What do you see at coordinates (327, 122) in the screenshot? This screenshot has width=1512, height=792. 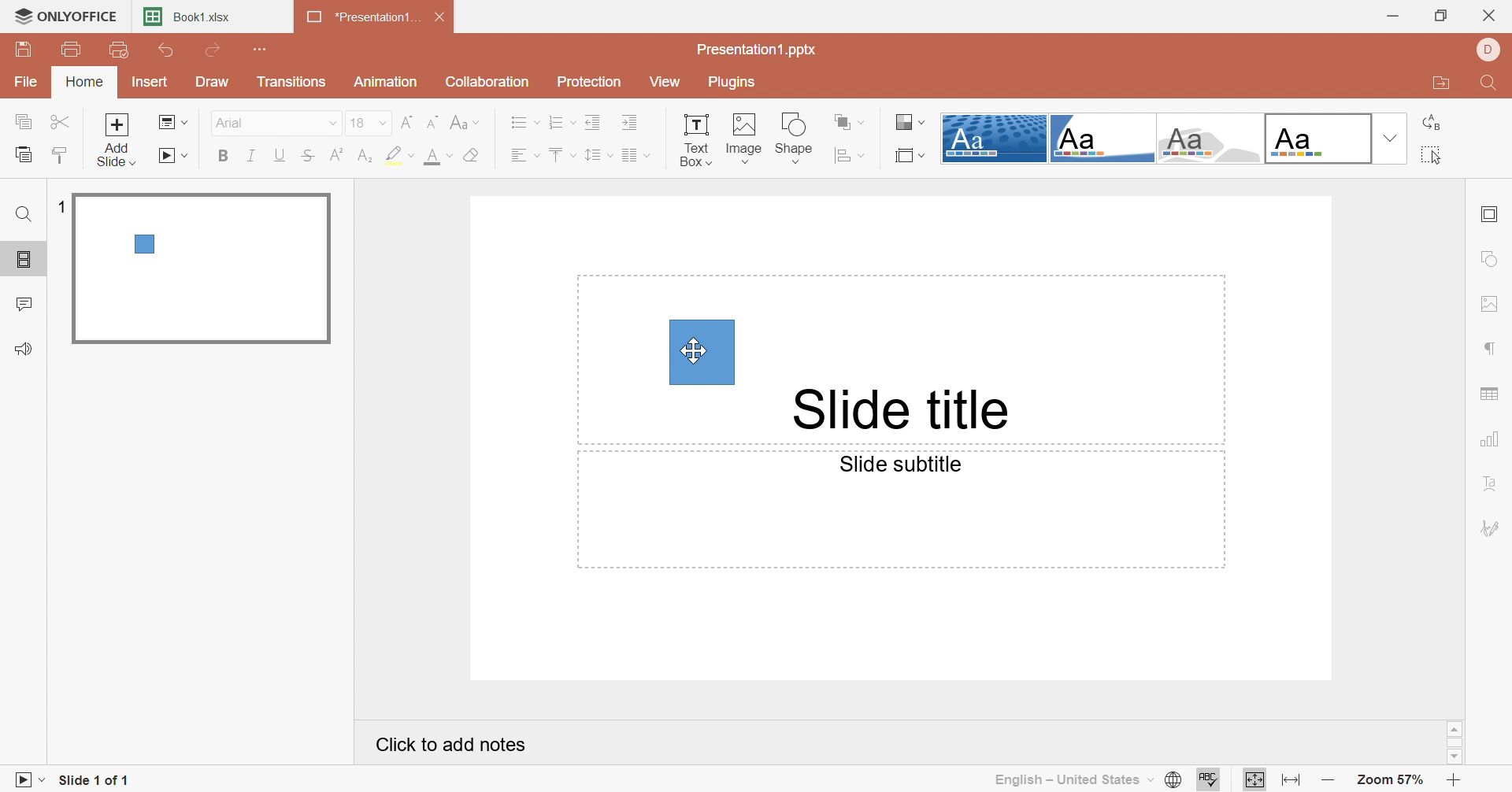 I see `Drop down` at bounding box center [327, 122].